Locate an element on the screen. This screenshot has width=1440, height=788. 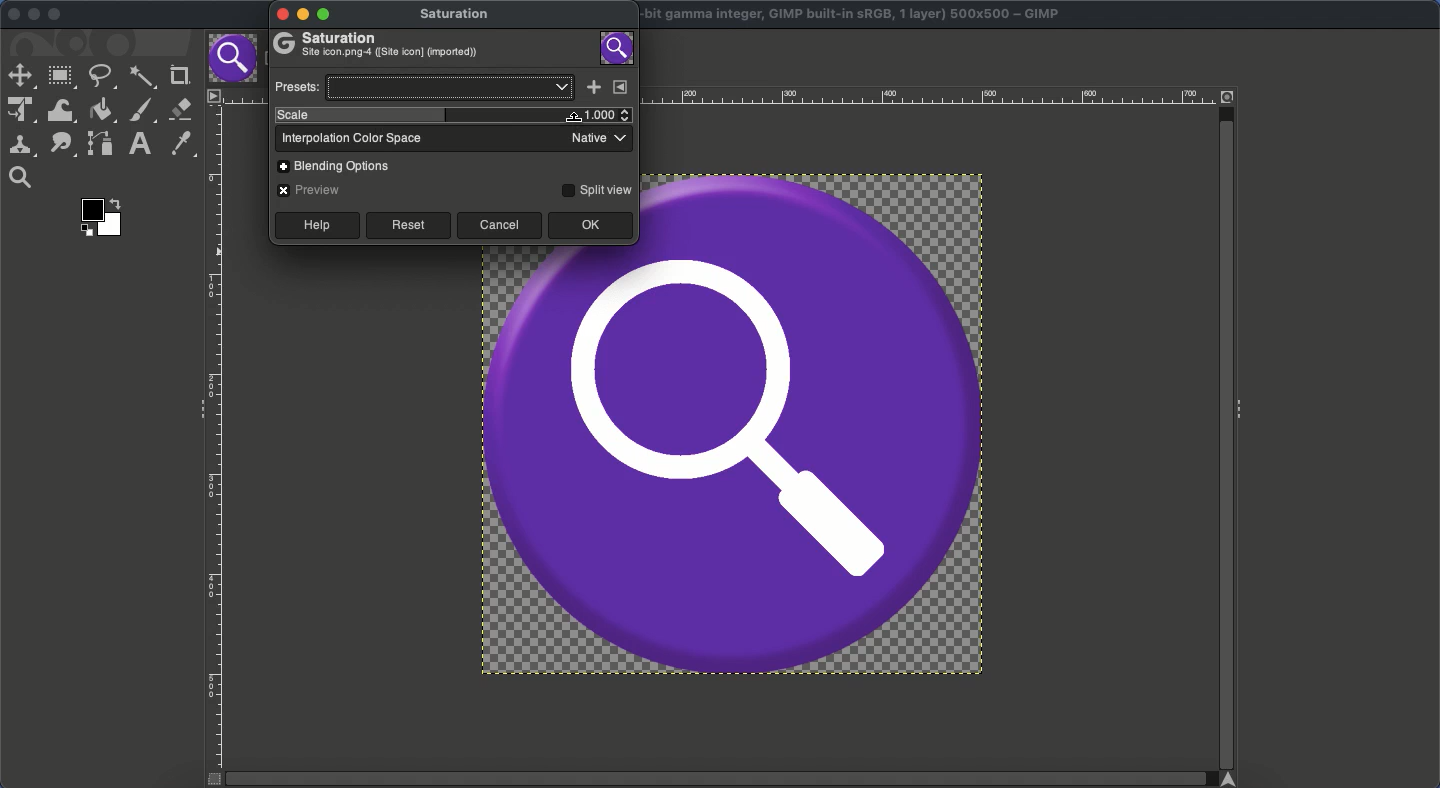
Crop is located at coordinates (179, 73).